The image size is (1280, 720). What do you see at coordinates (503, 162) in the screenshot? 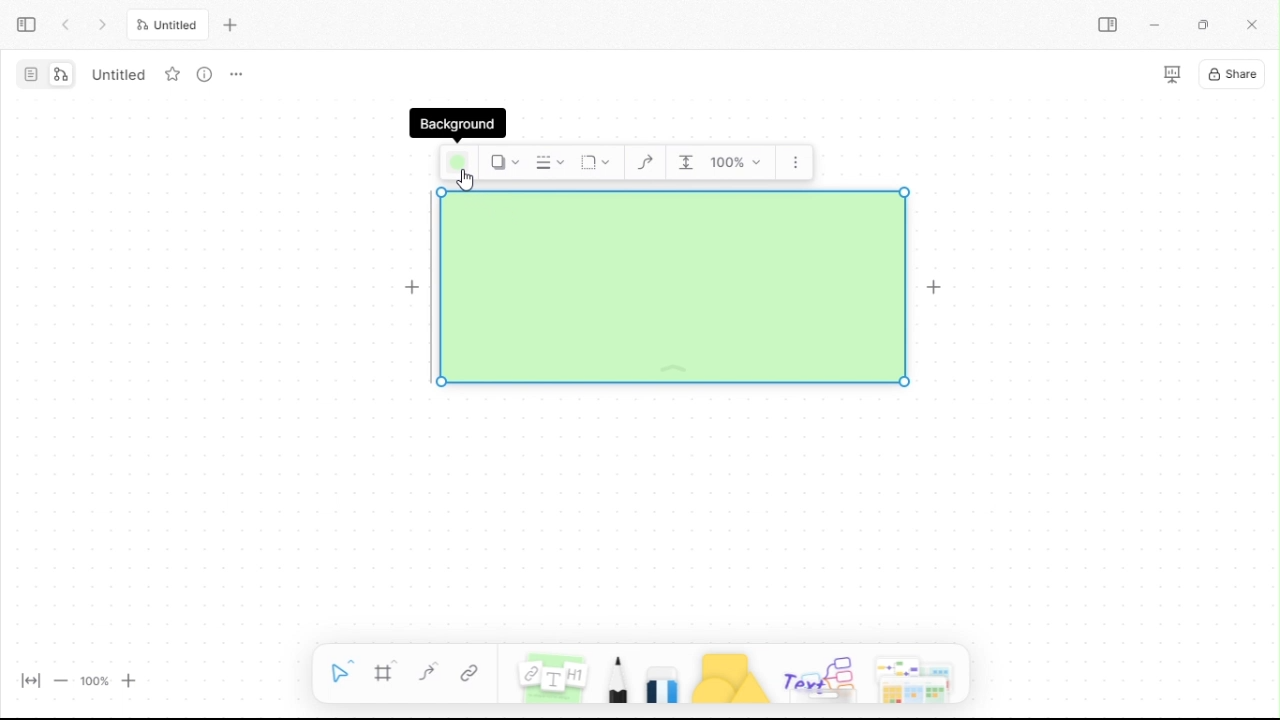
I see `Shadow Style` at bounding box center [503, 162].